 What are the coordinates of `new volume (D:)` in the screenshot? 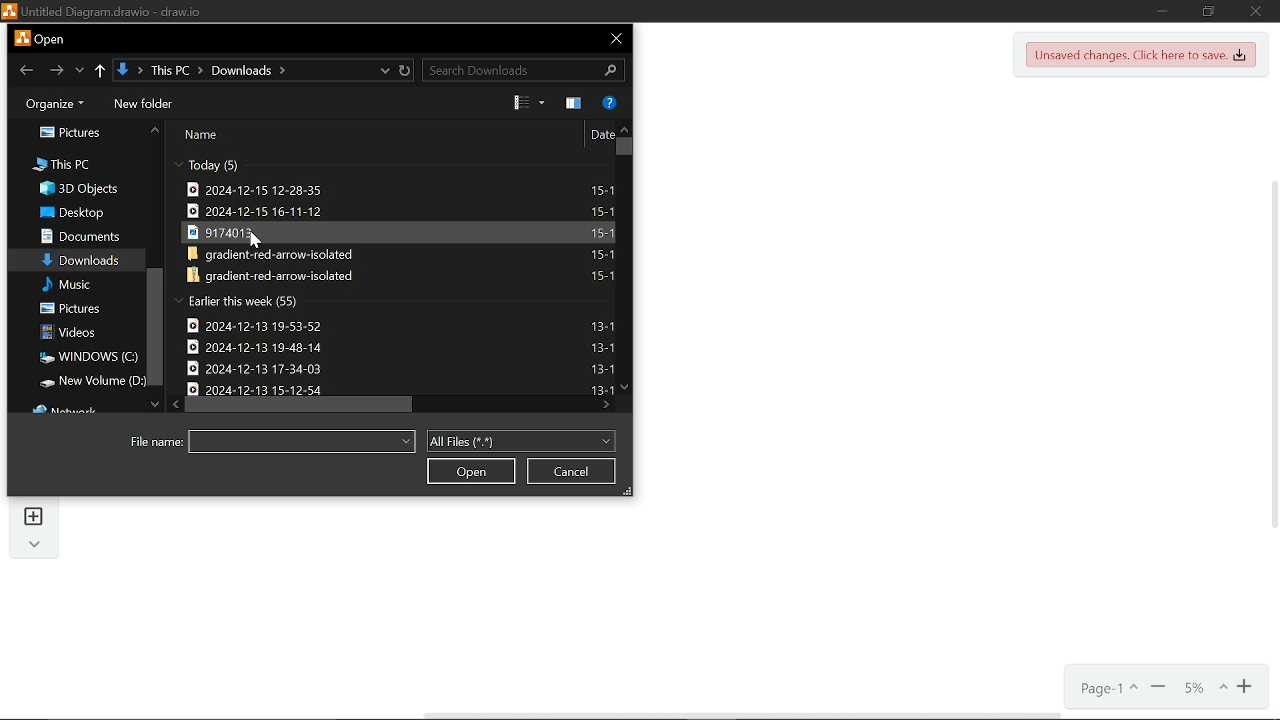 It's located at (90, 382).